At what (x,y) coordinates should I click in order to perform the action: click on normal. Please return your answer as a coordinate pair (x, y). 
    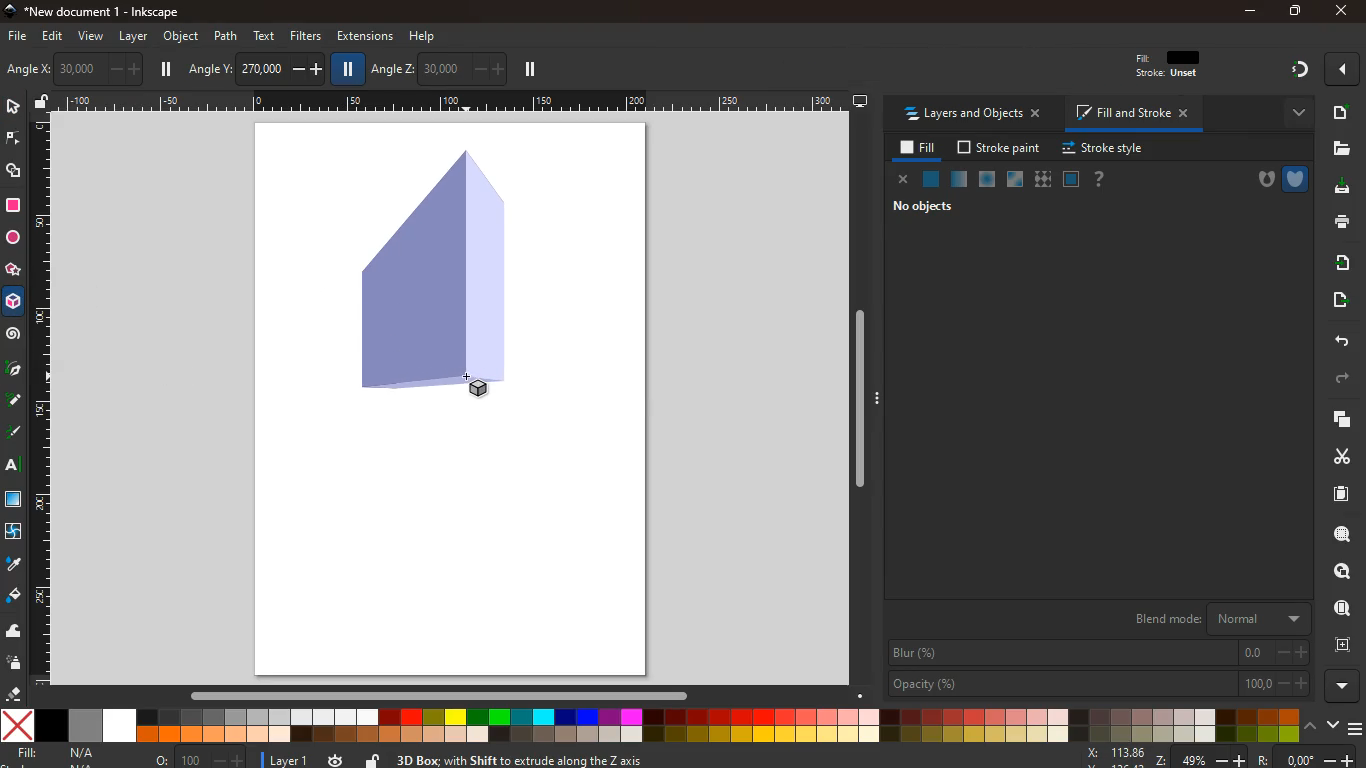
    Looking at the image, I should click on (932, 180).